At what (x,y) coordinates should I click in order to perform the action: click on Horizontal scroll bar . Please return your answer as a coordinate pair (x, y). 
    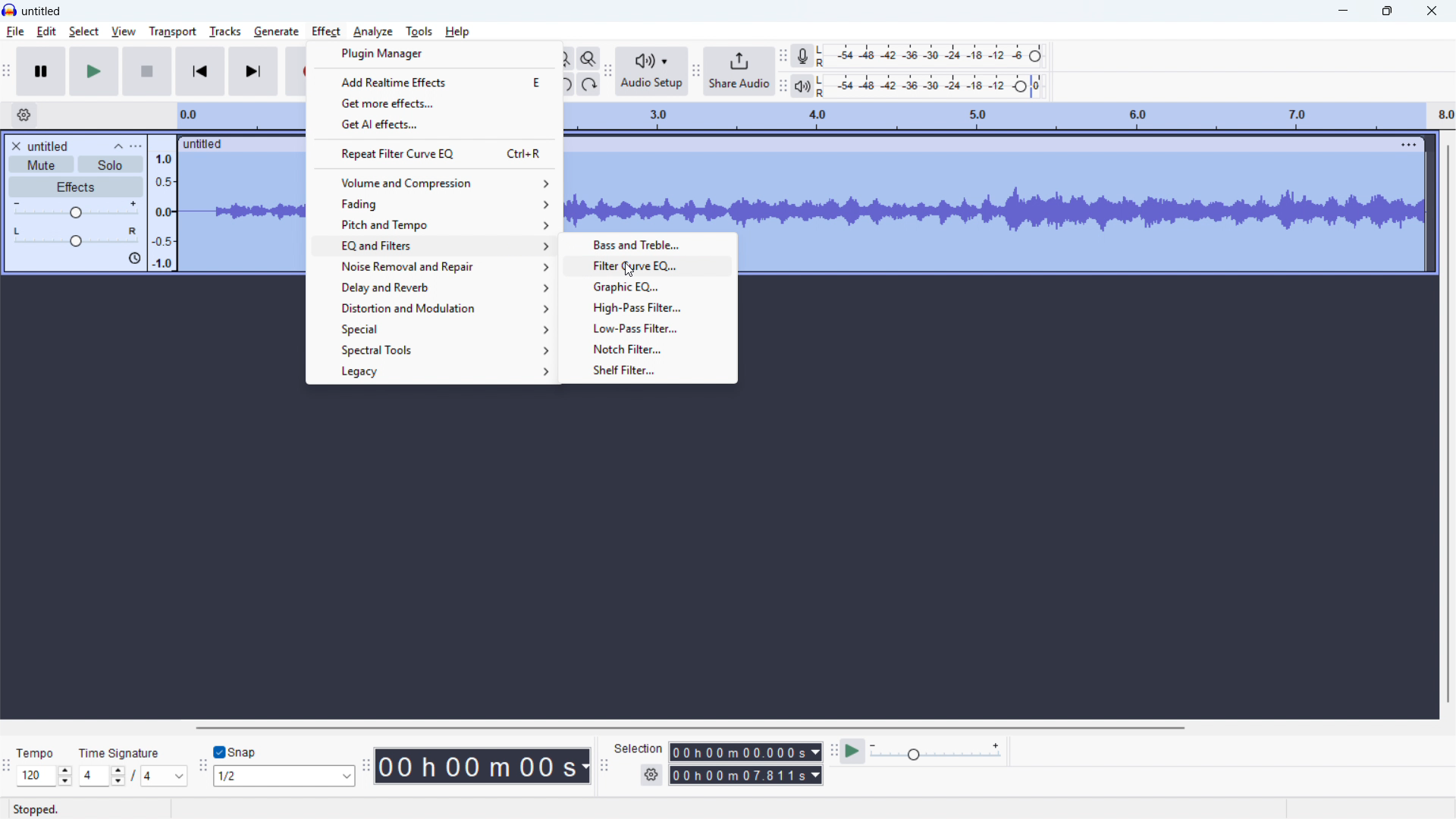
    Looking at the image, I should click on (687, 728).